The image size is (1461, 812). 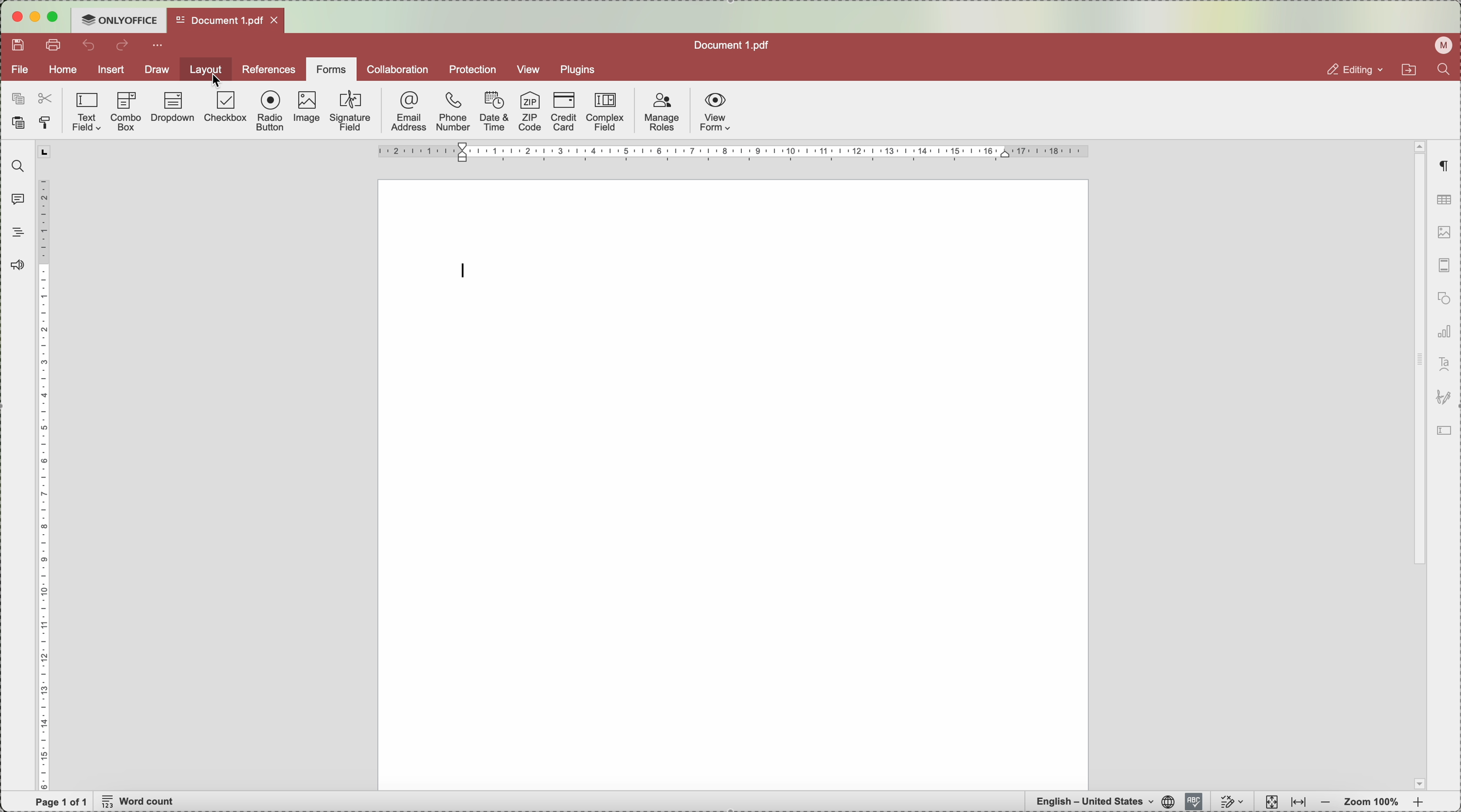 What do you see at coordinates (20, 70) in the screenshot?
I see `file` at bounding box center [20, 70].